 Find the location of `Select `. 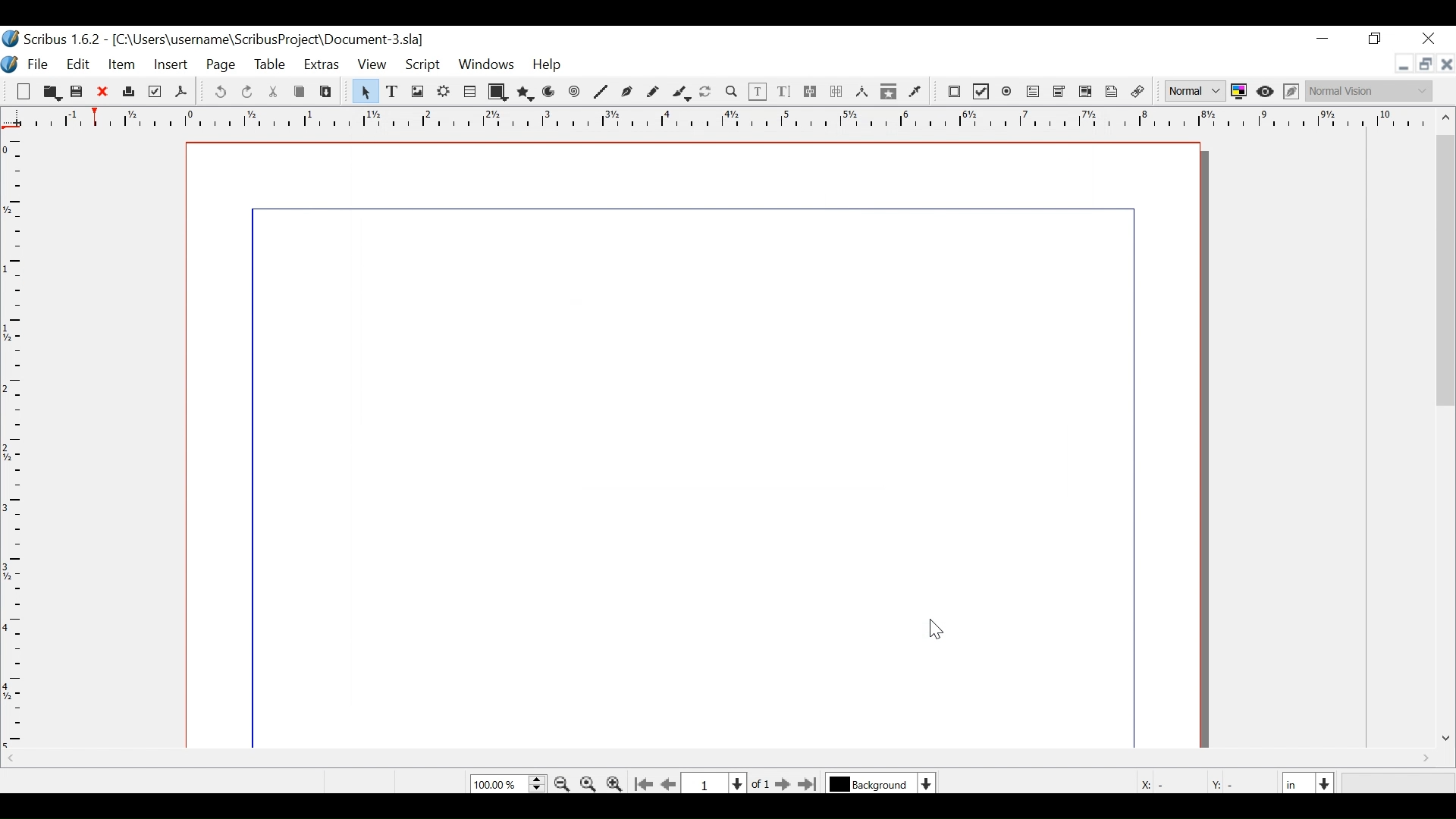

Select  is located at coordinates (363, 91).